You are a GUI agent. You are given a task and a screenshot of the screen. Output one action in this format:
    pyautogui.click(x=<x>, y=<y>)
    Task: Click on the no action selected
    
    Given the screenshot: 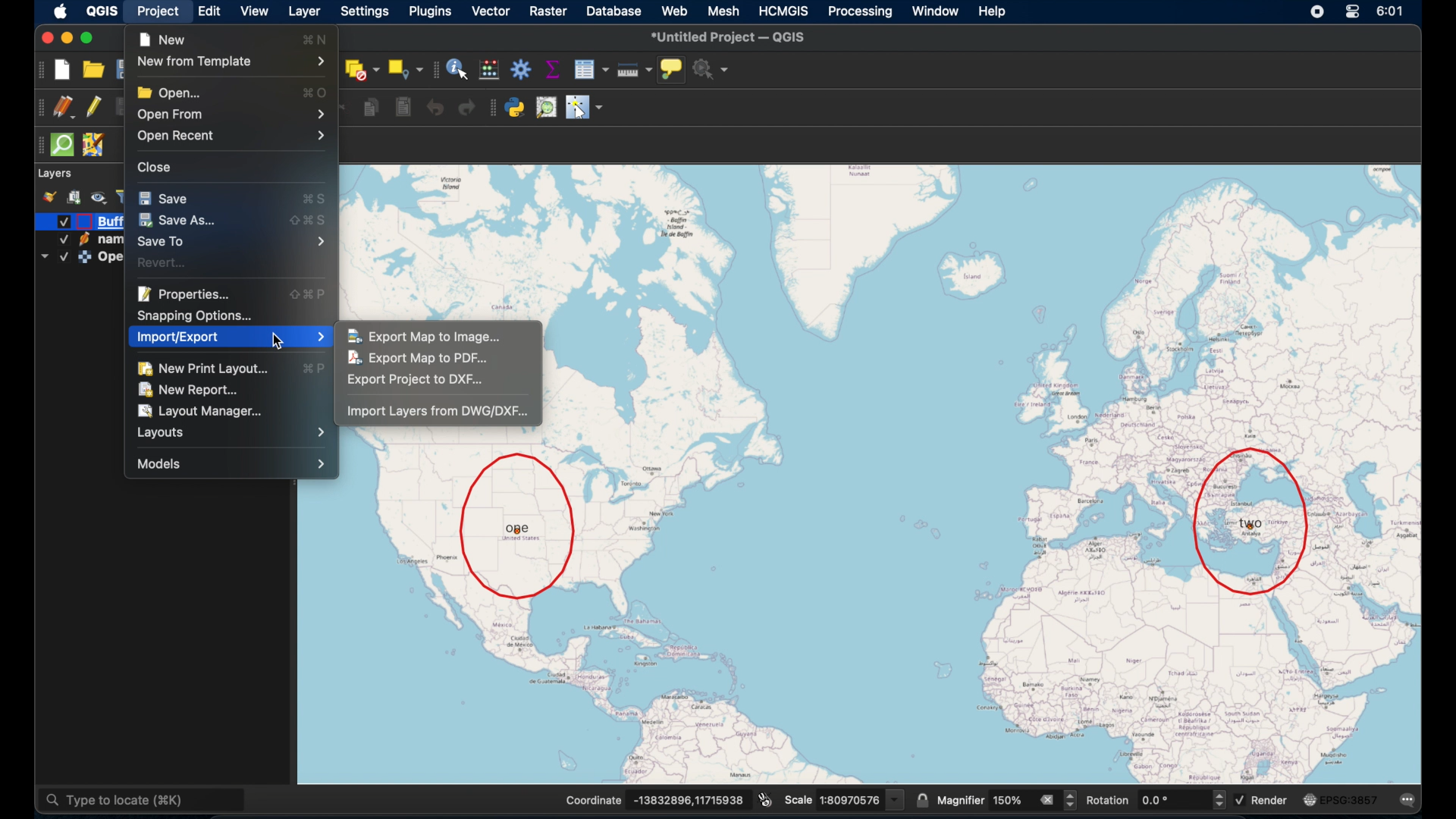 What is the action you would take?
    pyautogui.click(x=713, y=69)
    